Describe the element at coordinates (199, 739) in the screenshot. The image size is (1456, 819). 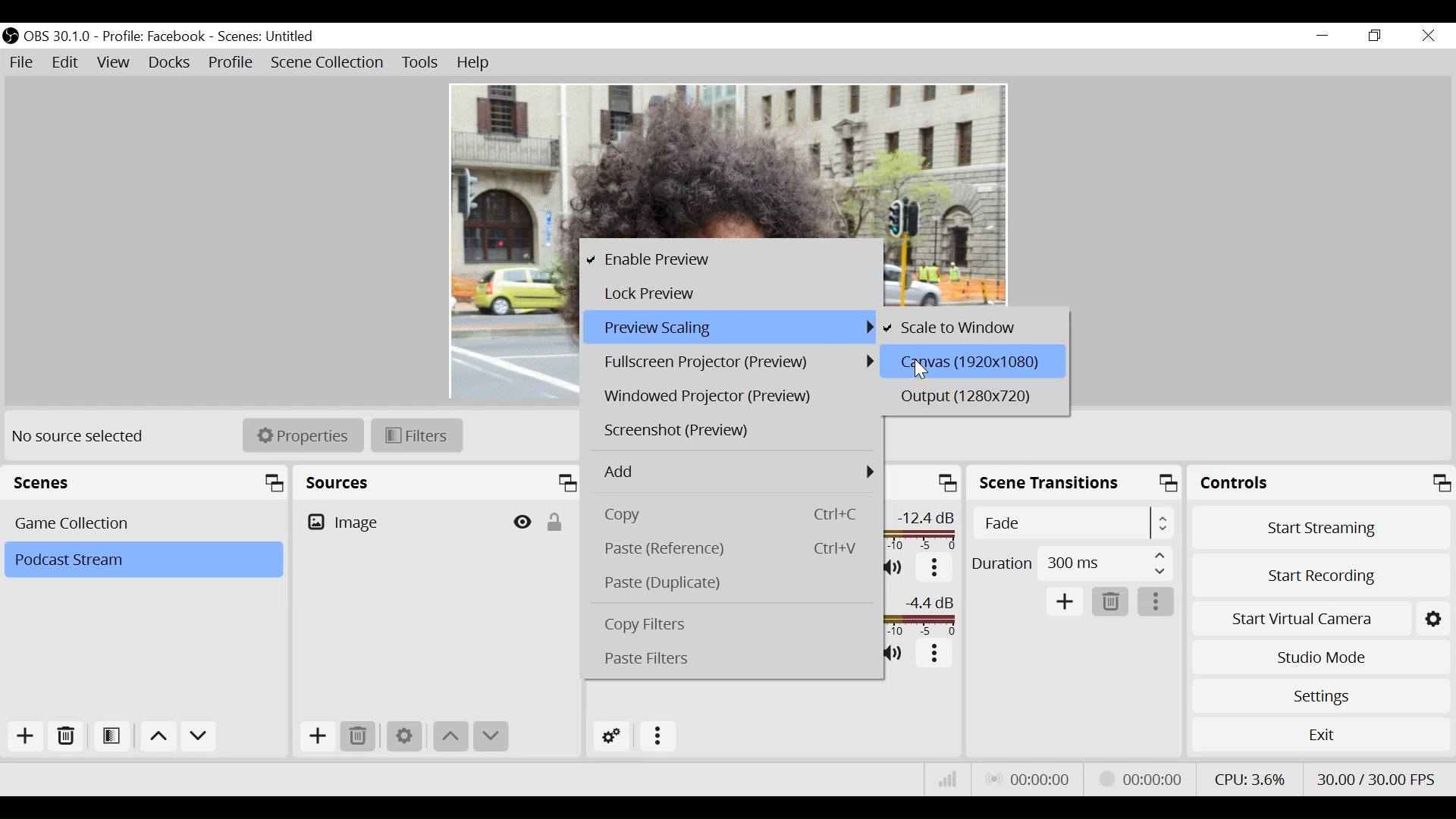
I see `Move down` at that location.